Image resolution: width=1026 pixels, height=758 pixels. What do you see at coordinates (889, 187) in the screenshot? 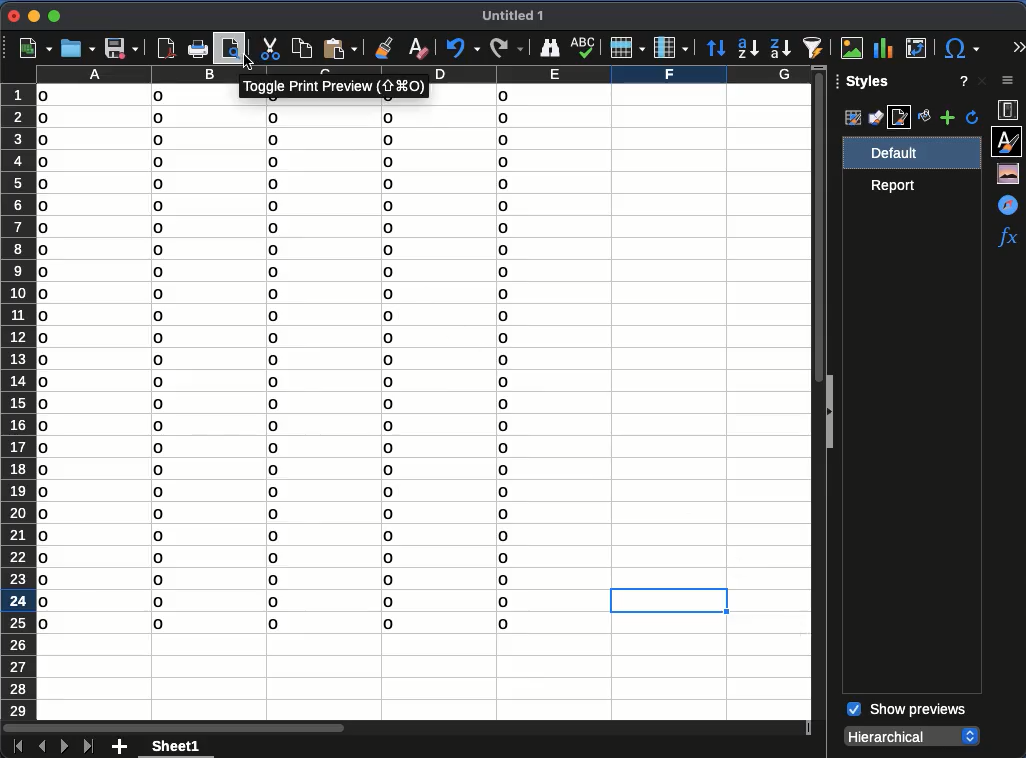
I see `Report` at bounding box center [889, 187].